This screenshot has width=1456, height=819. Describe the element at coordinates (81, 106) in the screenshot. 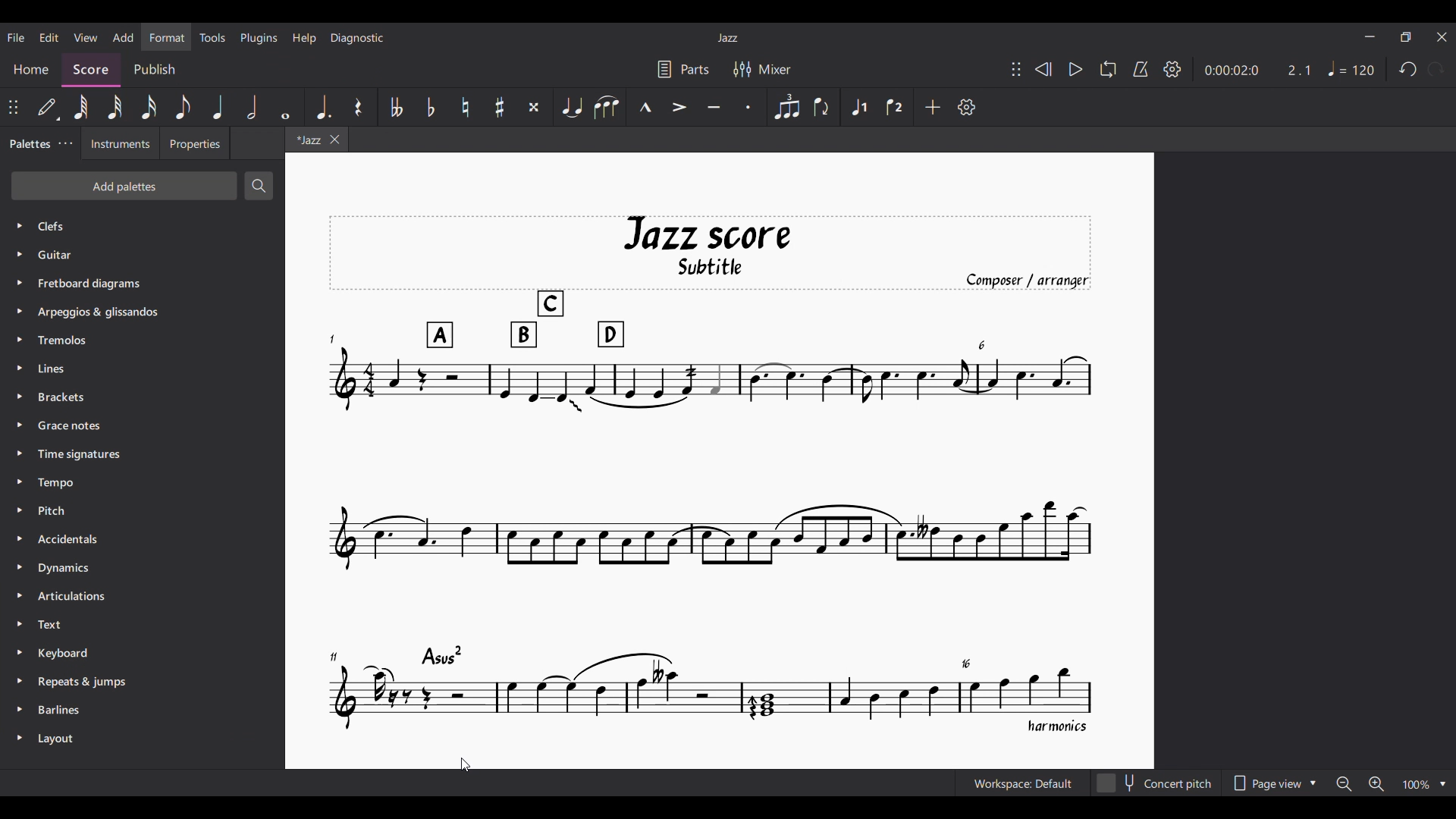

I see `64th note` at that location.